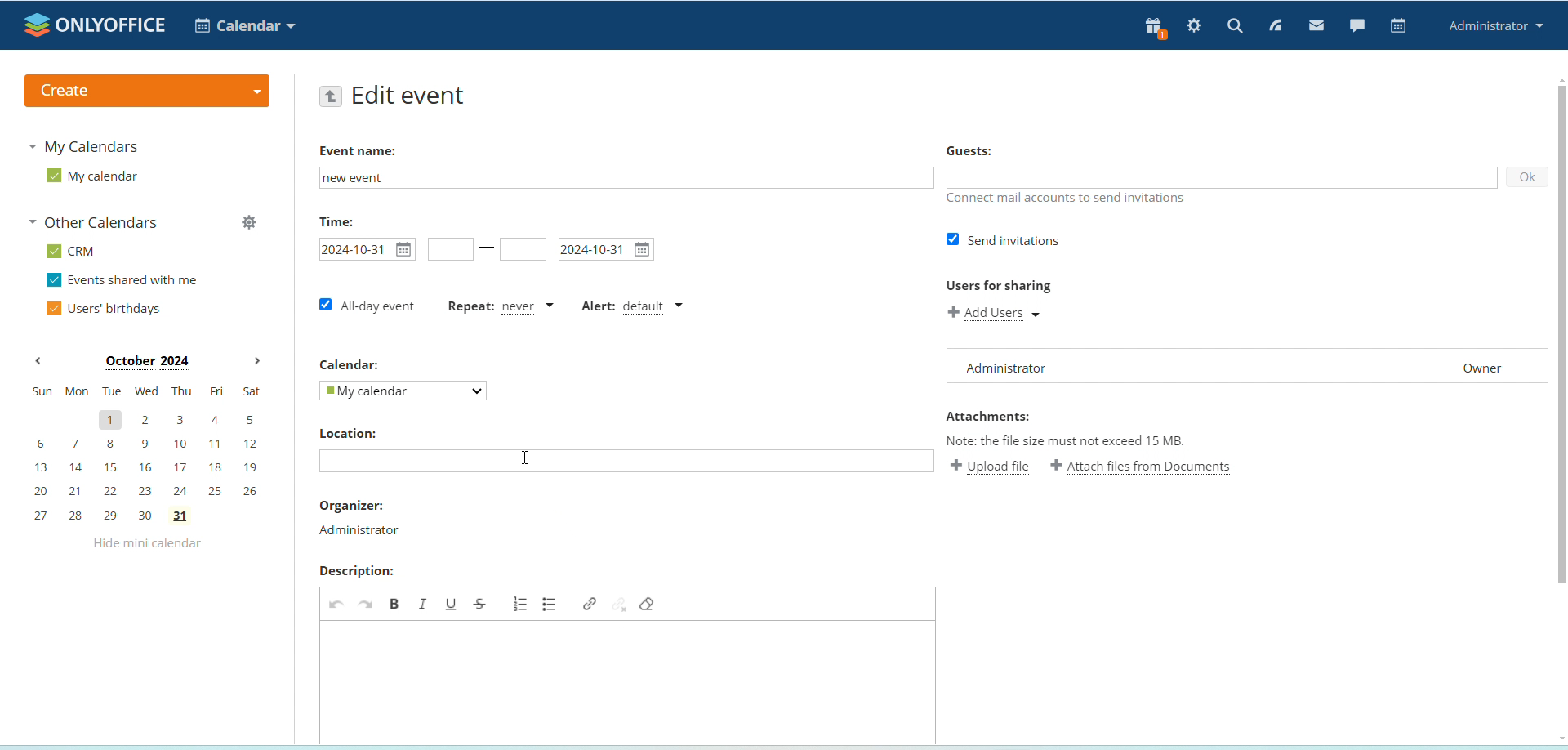 Image resolution: width=1568 pixels, height=750 pixels. Describe the element at coordinates (147, 363) in the screenshot. I see `month on display` at that location.